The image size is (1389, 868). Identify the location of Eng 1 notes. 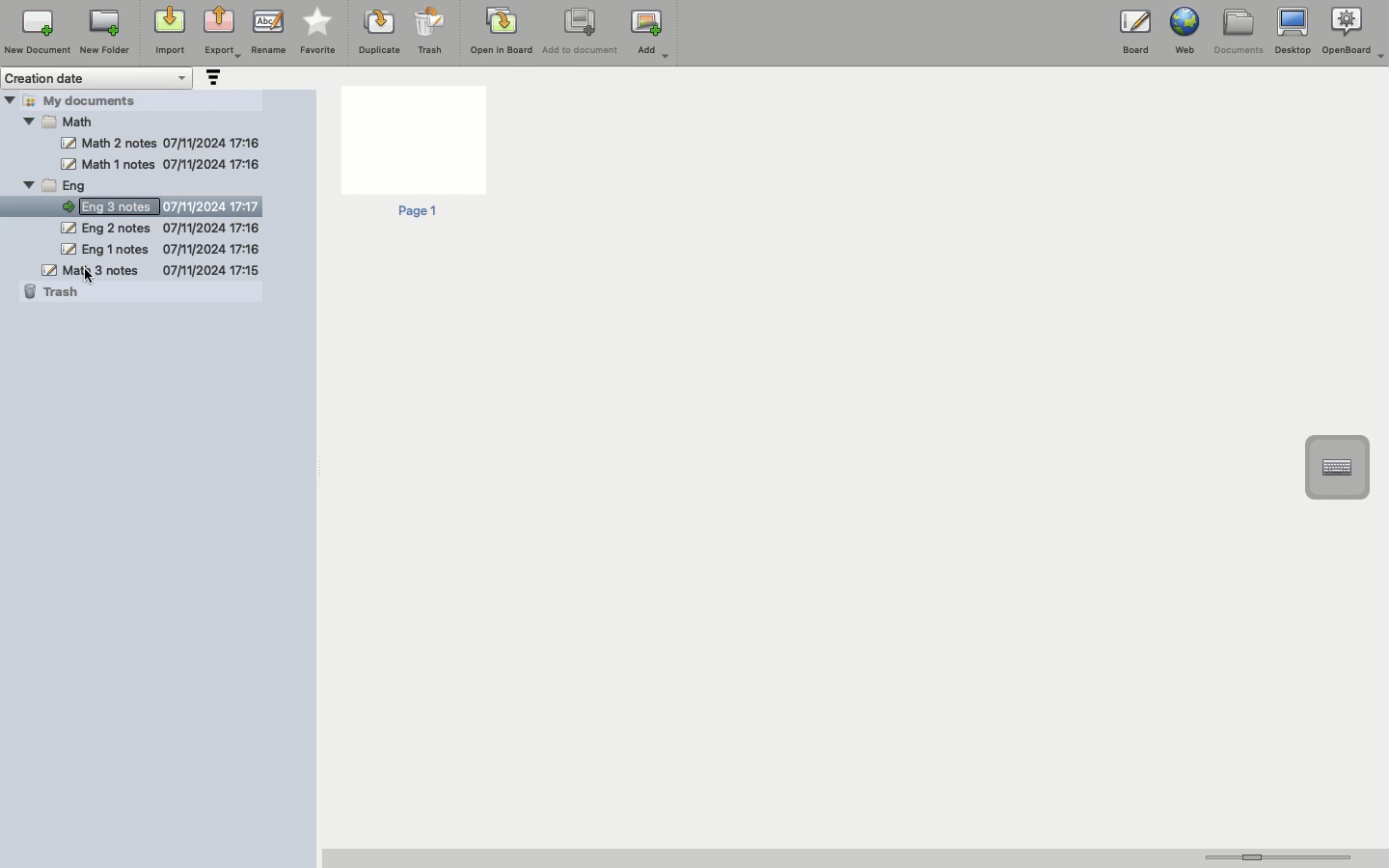
(159, 249).